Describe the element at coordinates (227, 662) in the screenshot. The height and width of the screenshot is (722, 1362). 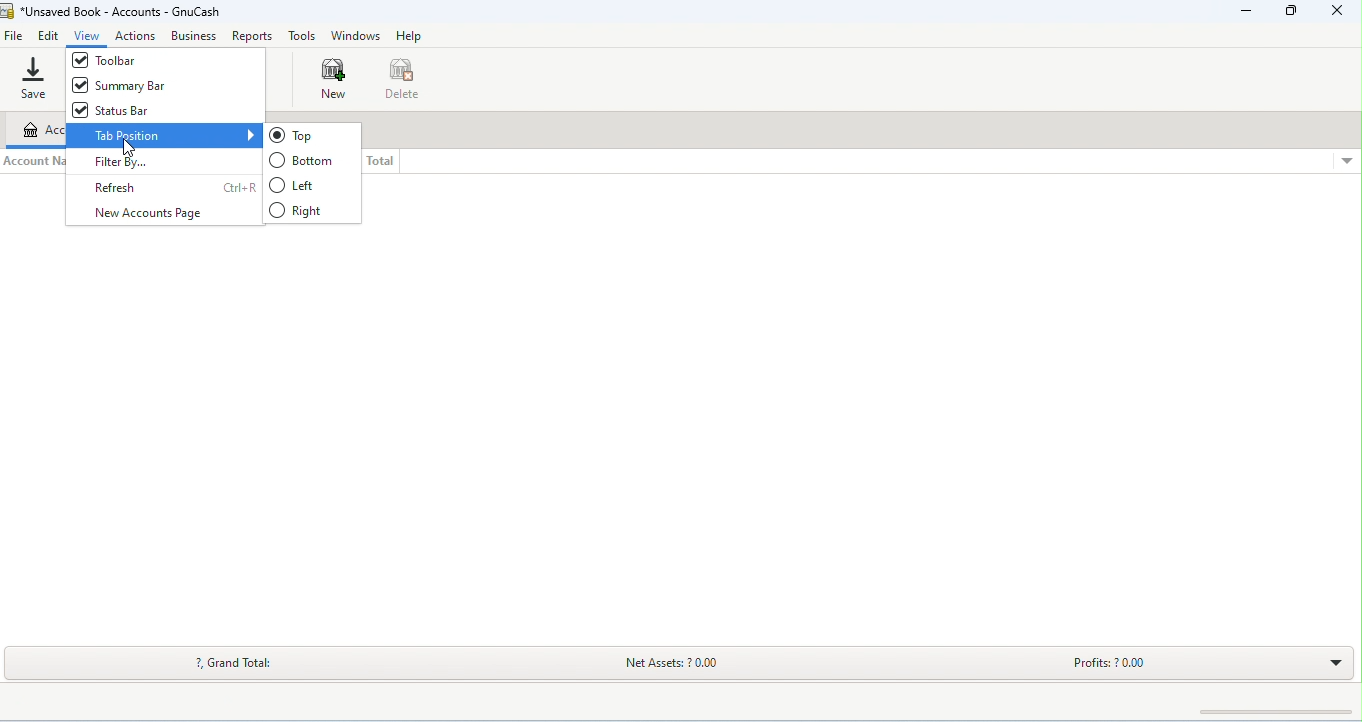
I see `grand total` at that location.